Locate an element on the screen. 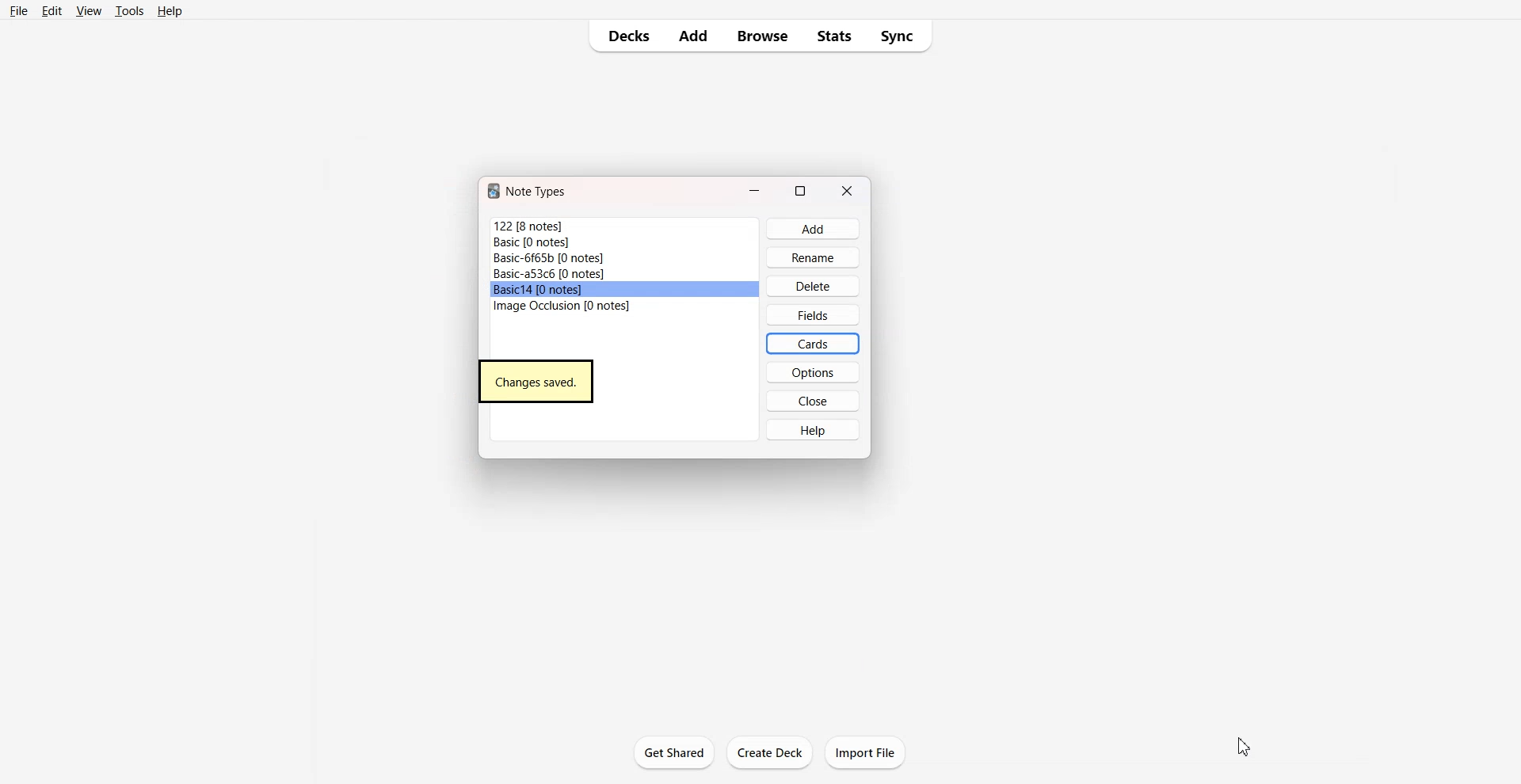 This screenshot has height=784, width=1521. File is located at coordinates (625, 258).